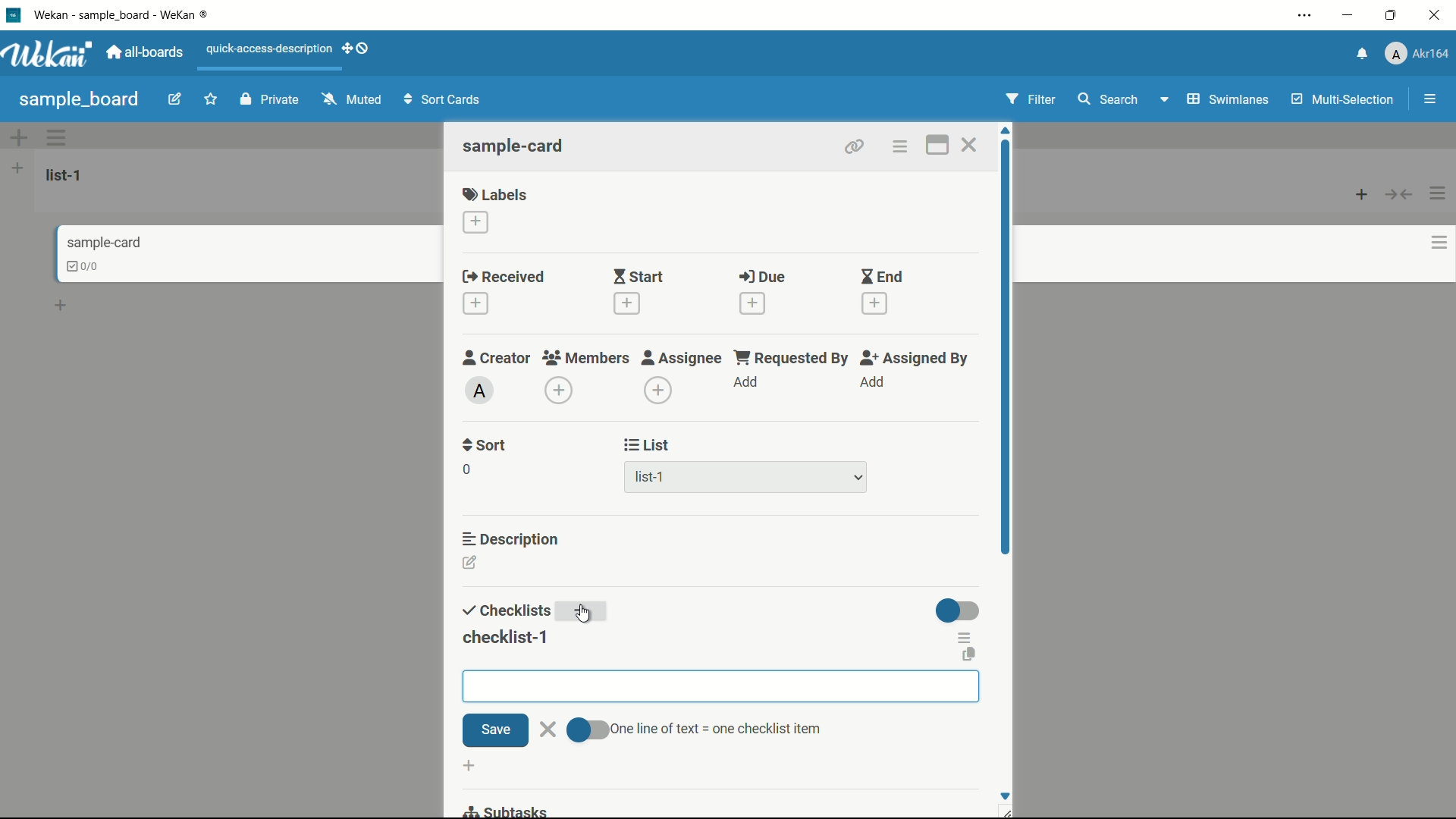  Describe the element at coordinates (659, 391) in the screenshot. I see `add assignee` at that location.